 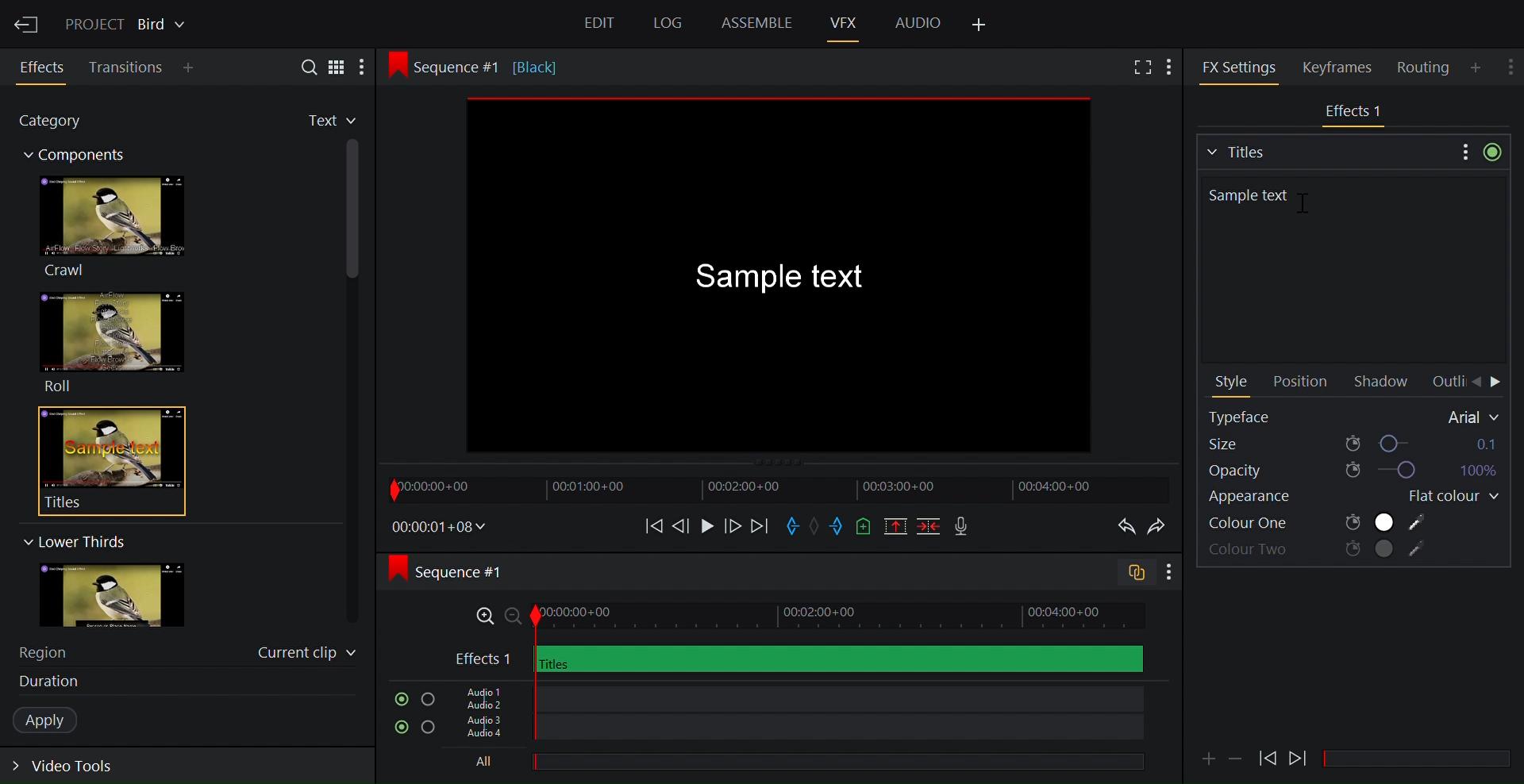 I want to click on Category, so click(x=59, y=123).